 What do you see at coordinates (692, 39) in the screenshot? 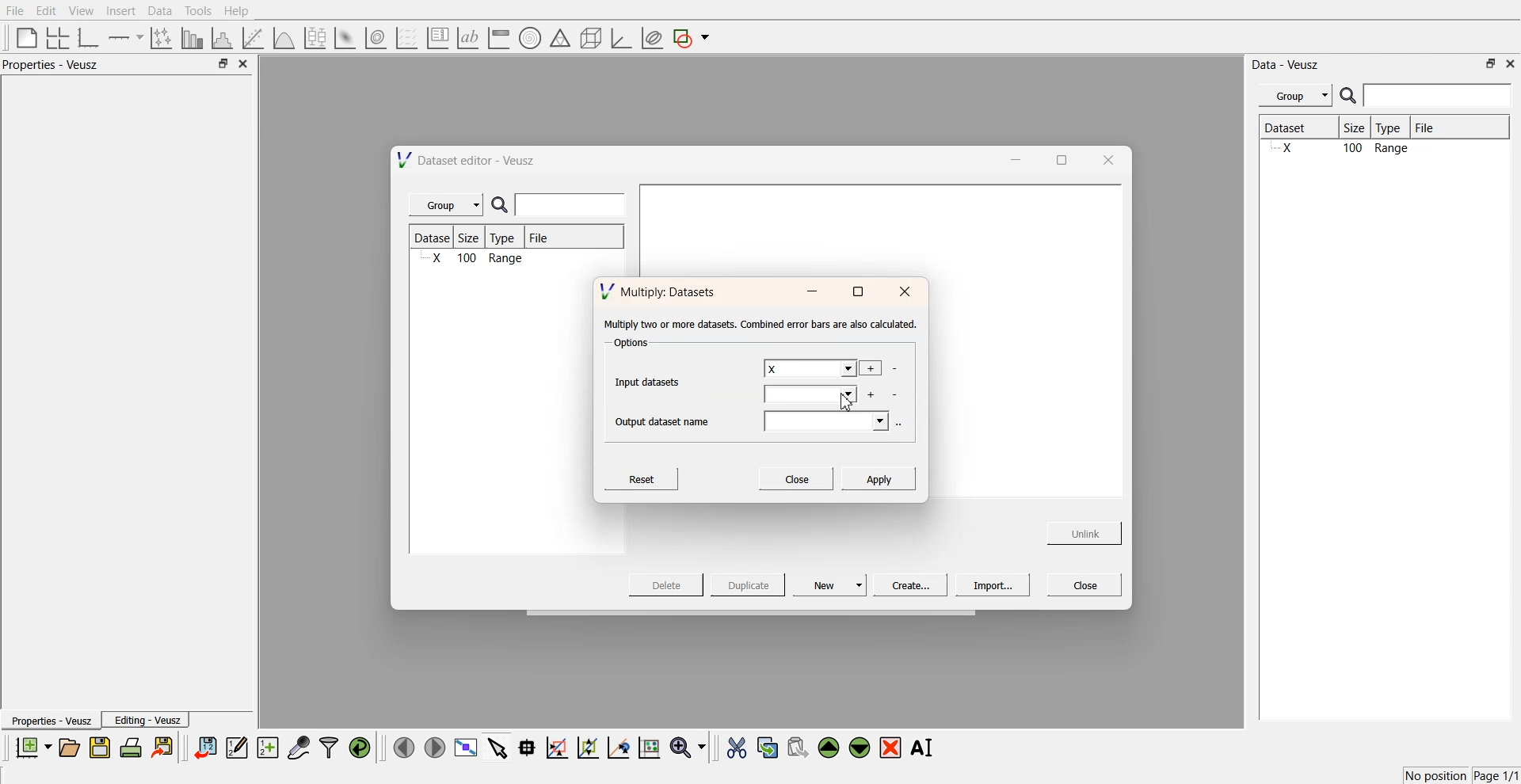
I see `add a shape` at bounding box center [692, 39].